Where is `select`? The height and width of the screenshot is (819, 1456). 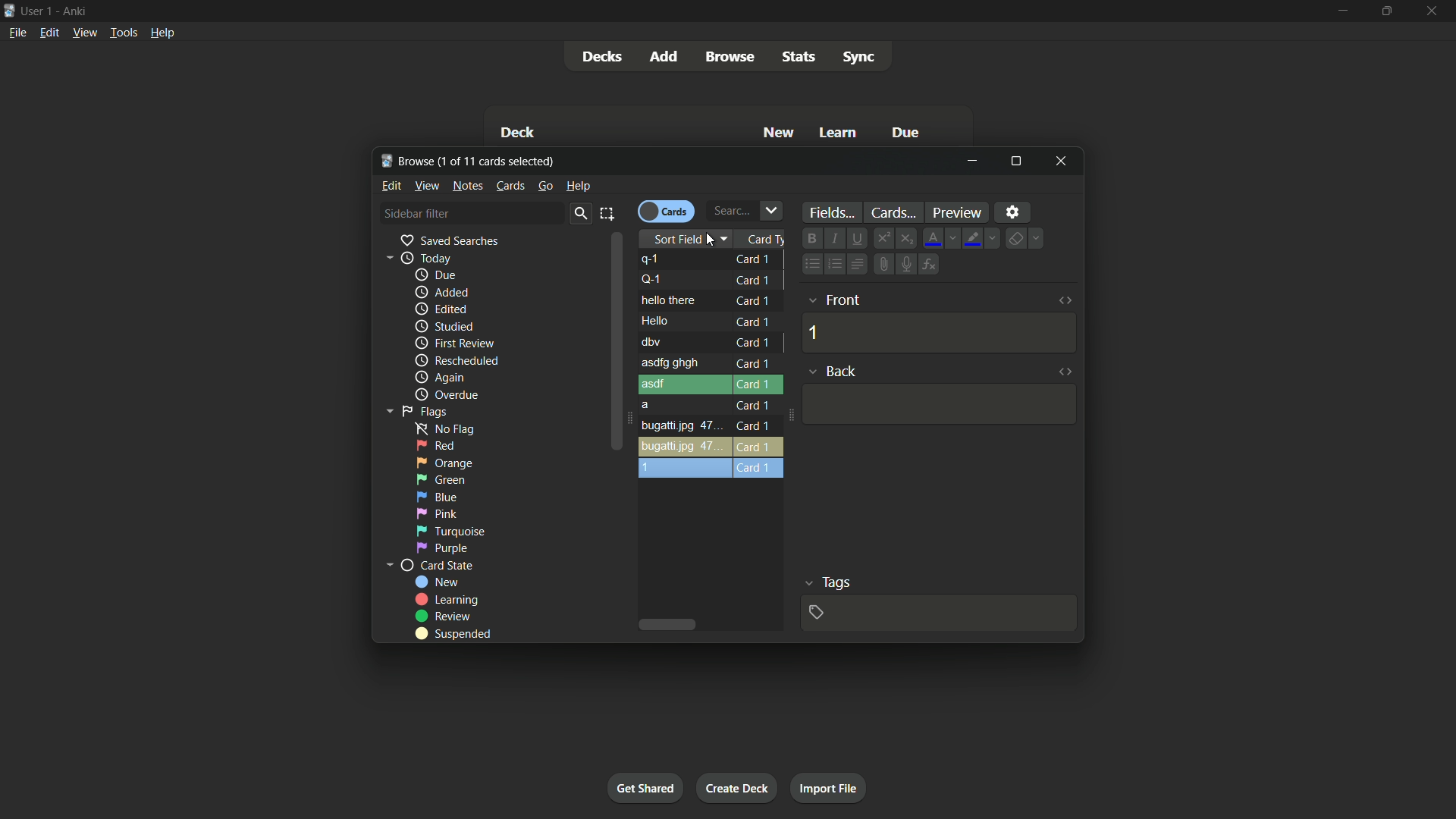
select is located at coordinates (610, 212).